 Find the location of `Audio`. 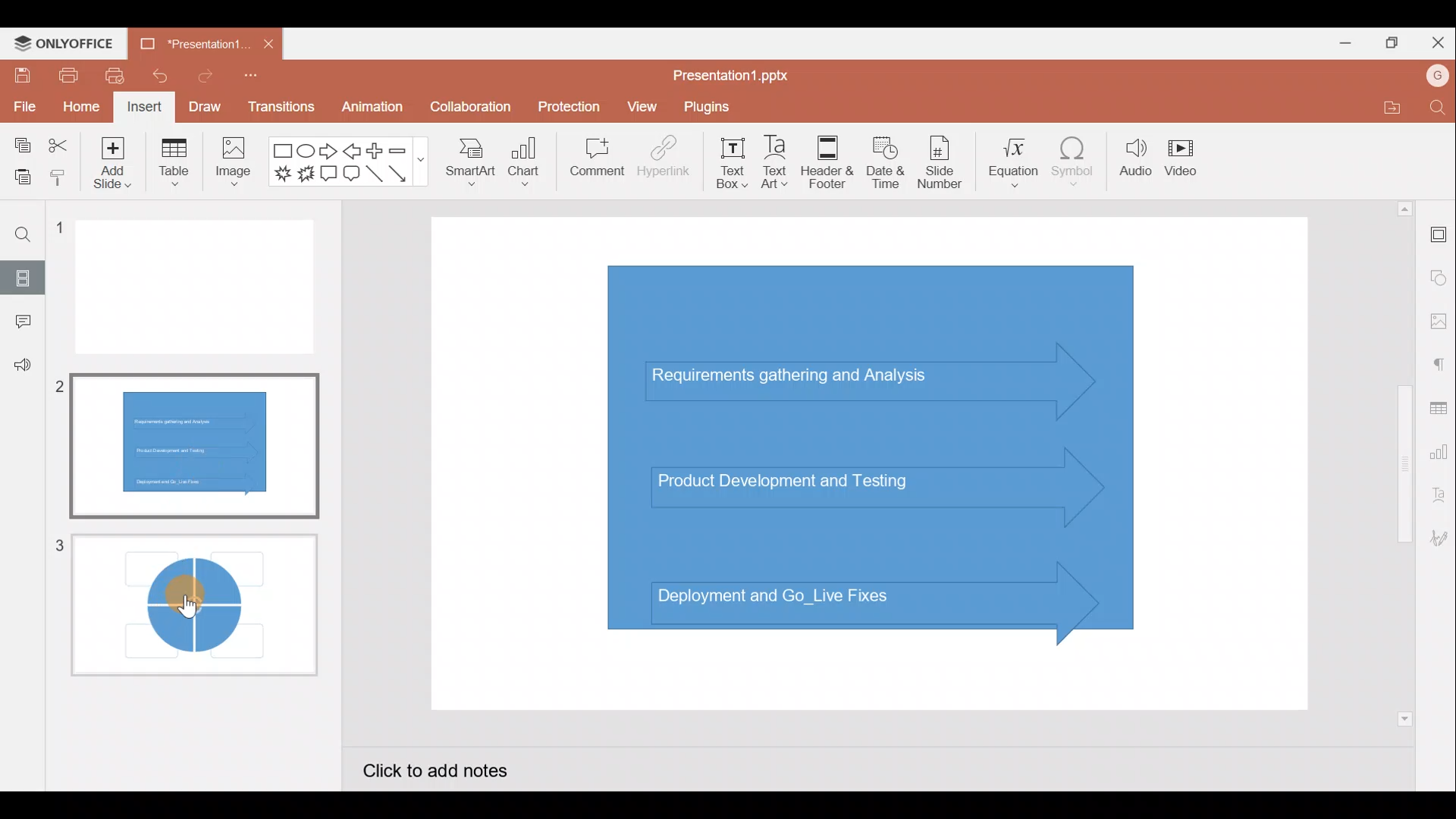

Audio is located at coordinates (1132, 163).